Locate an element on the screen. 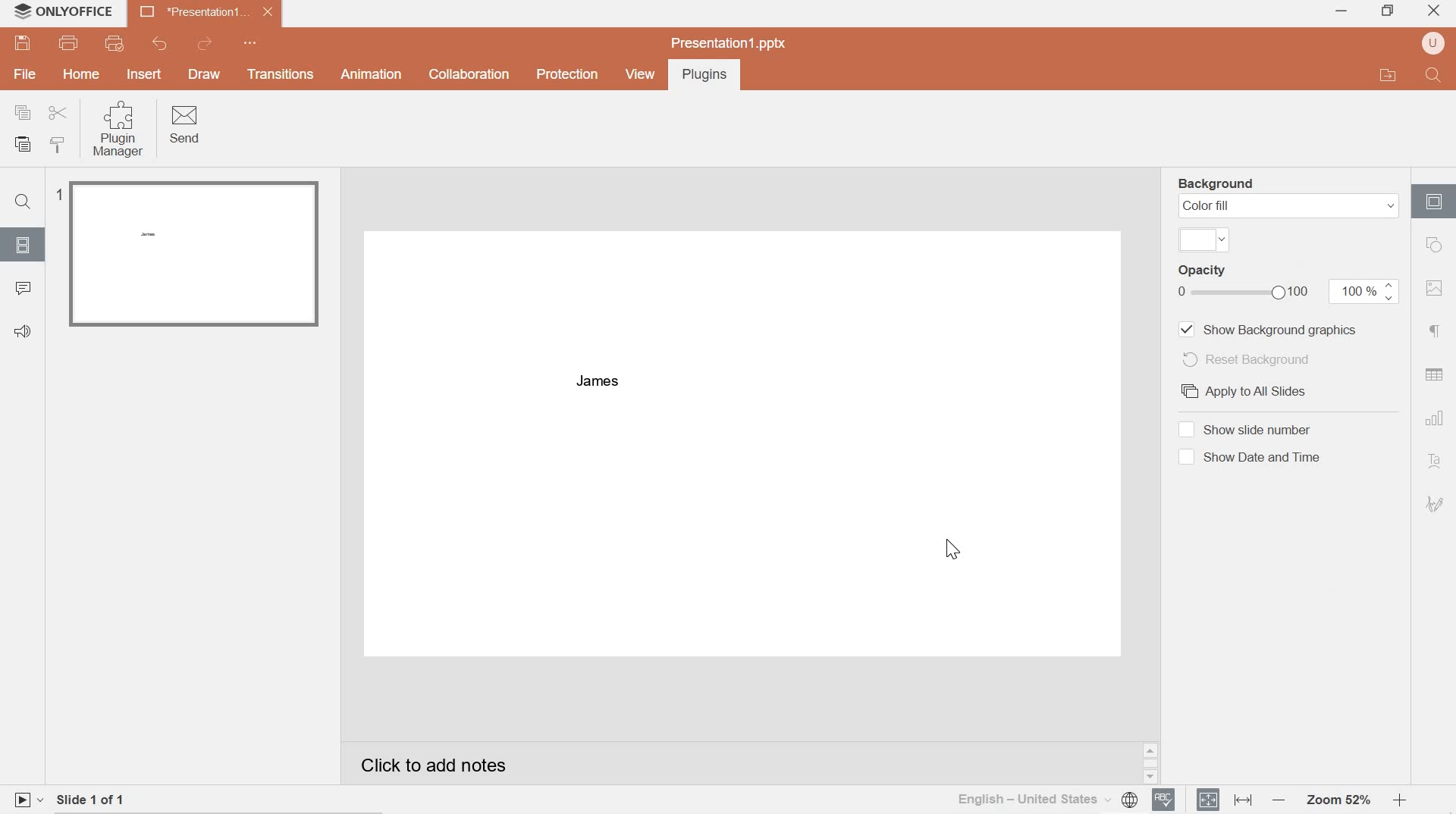 This screenshot has width=1456, height=814. presentation 1 is located at coordinates (206, 12).